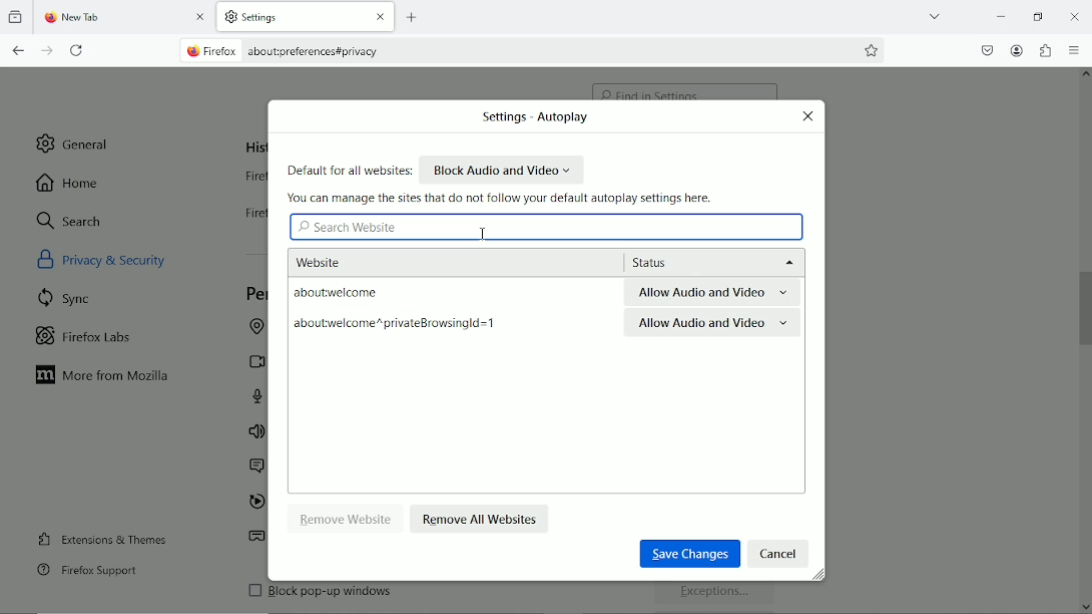 This screenshot has width=1092, height=614. Describe the element at coordinates (97, 18) in the screenshot. I see `new tab` at that location.